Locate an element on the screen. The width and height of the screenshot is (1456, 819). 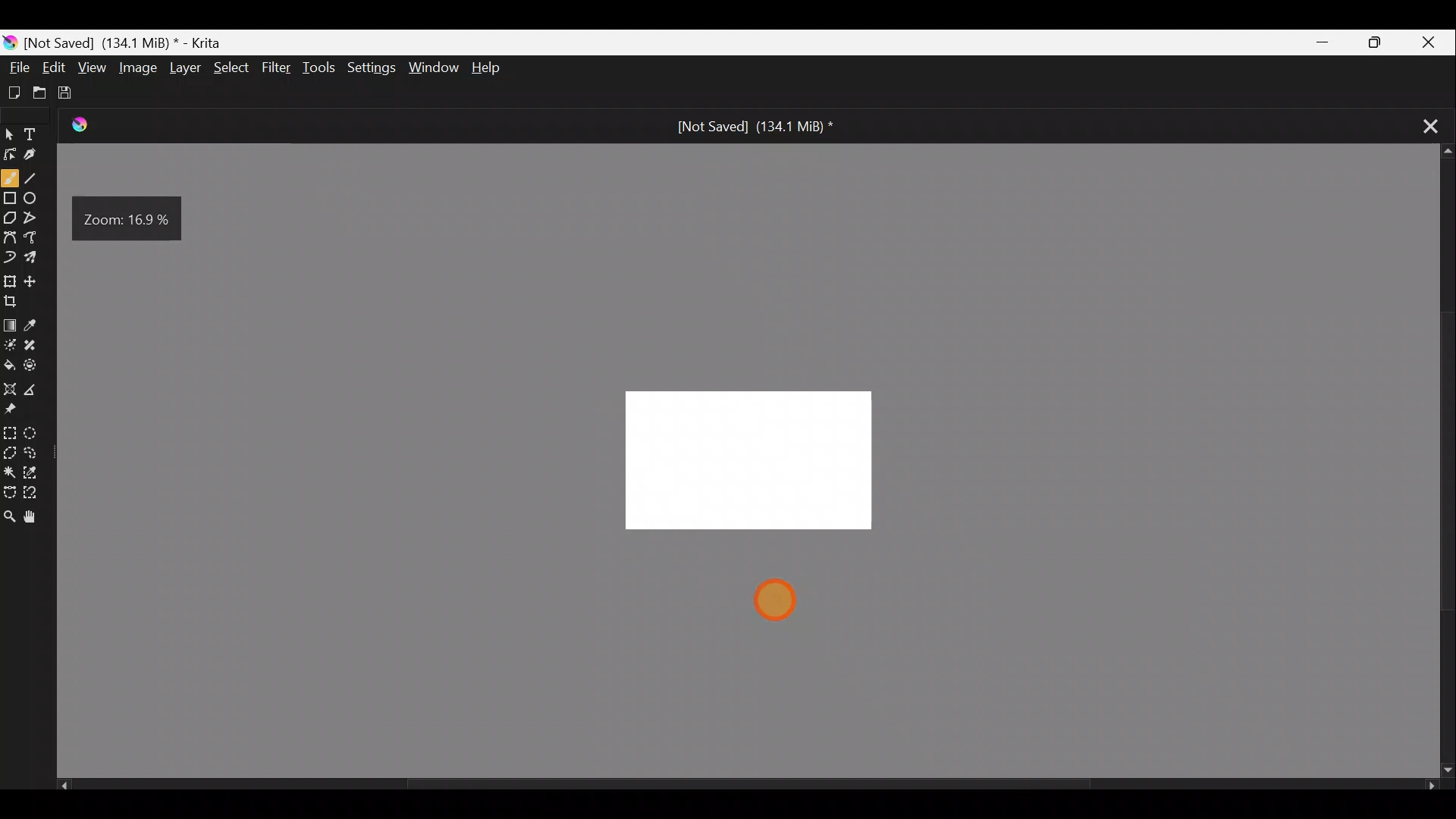
Edit shapes tool is located at coordinates (11, 153).